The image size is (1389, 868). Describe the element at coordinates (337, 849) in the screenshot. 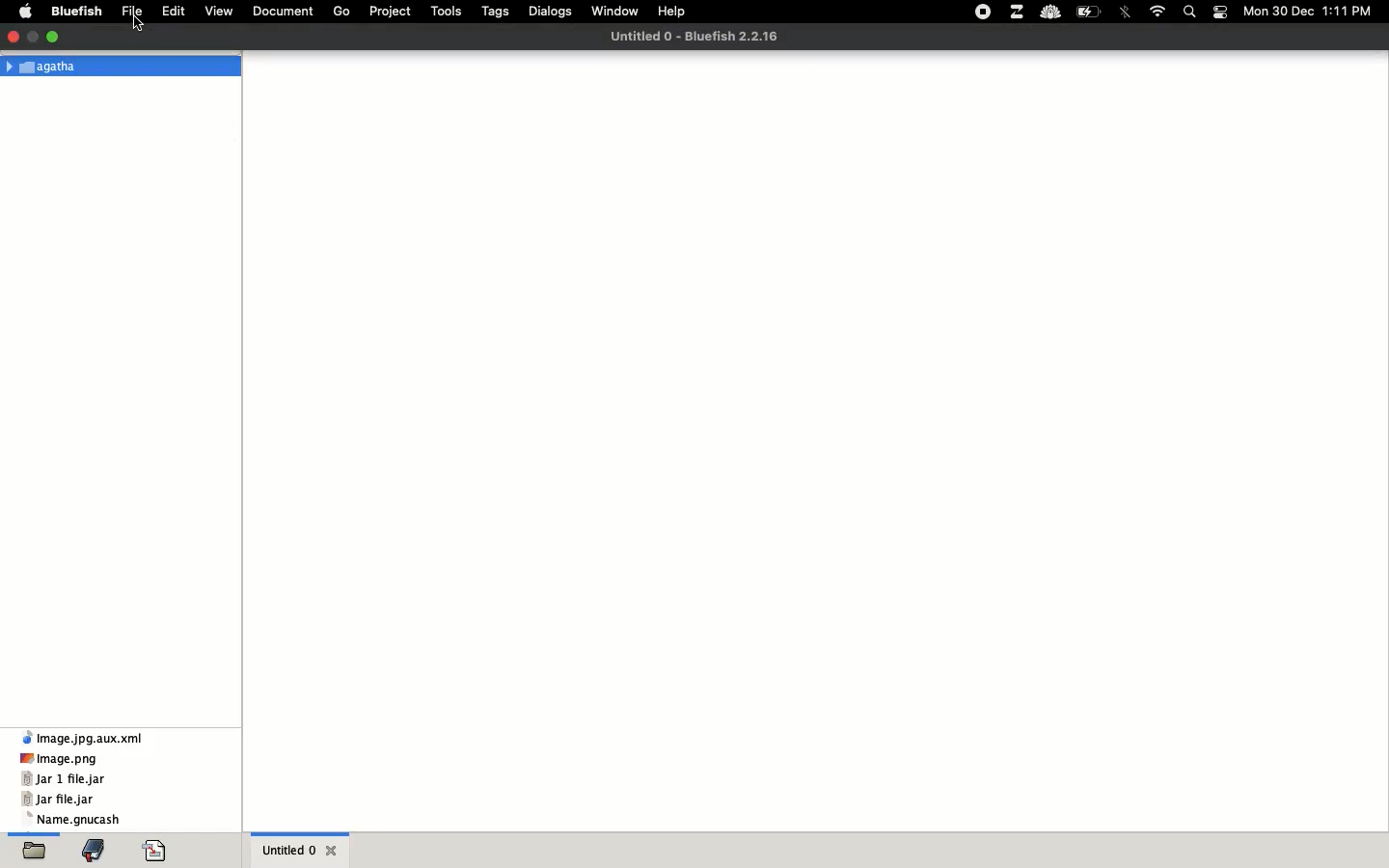

I see `close` at that location.